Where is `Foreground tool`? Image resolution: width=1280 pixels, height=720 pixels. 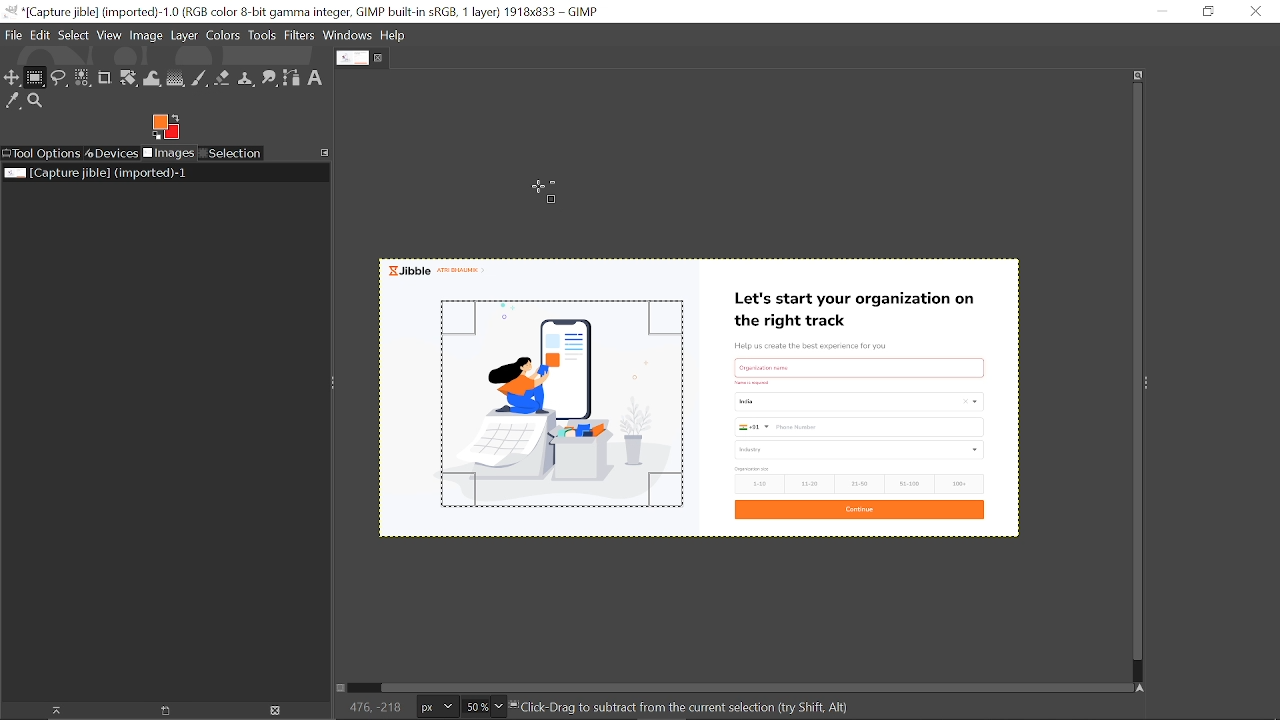
Foreground tool is located at coordinates (165, 127).